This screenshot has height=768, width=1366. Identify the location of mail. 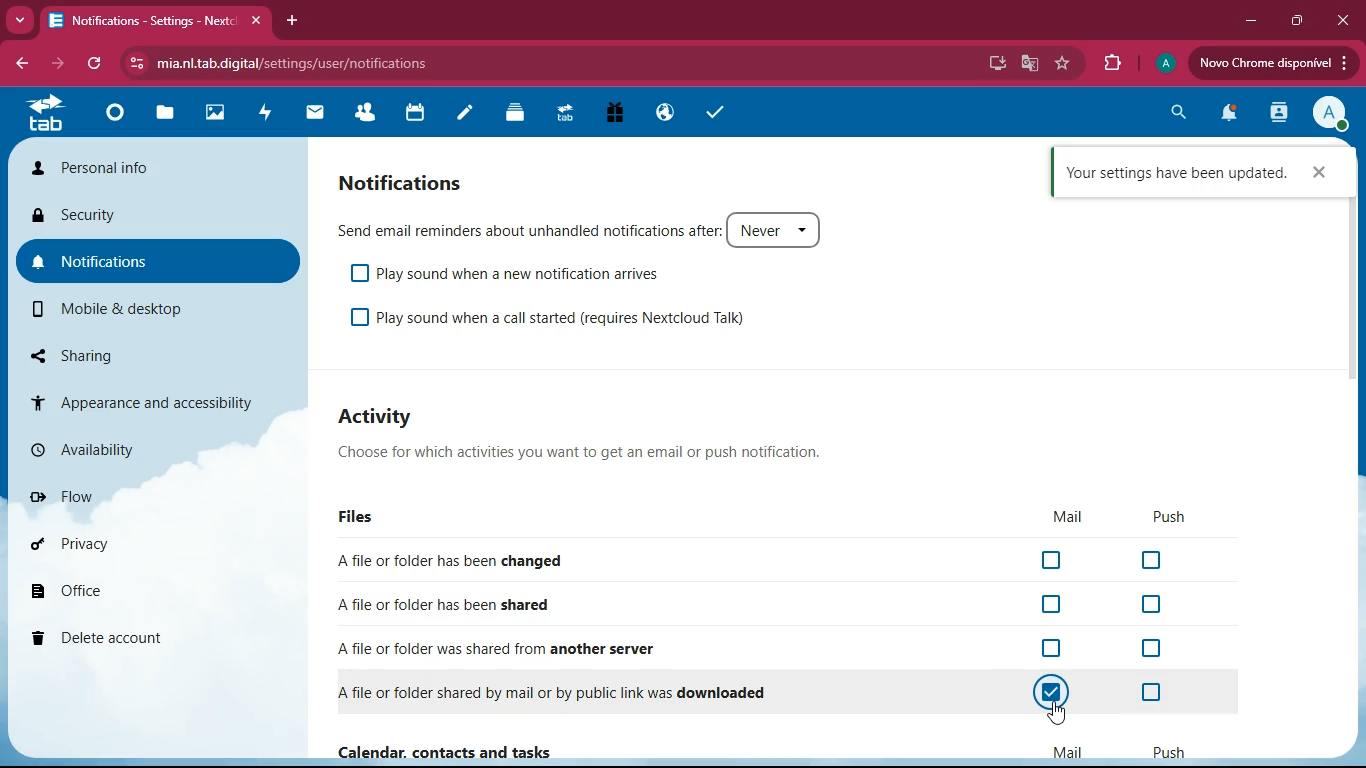
(1065, 516).